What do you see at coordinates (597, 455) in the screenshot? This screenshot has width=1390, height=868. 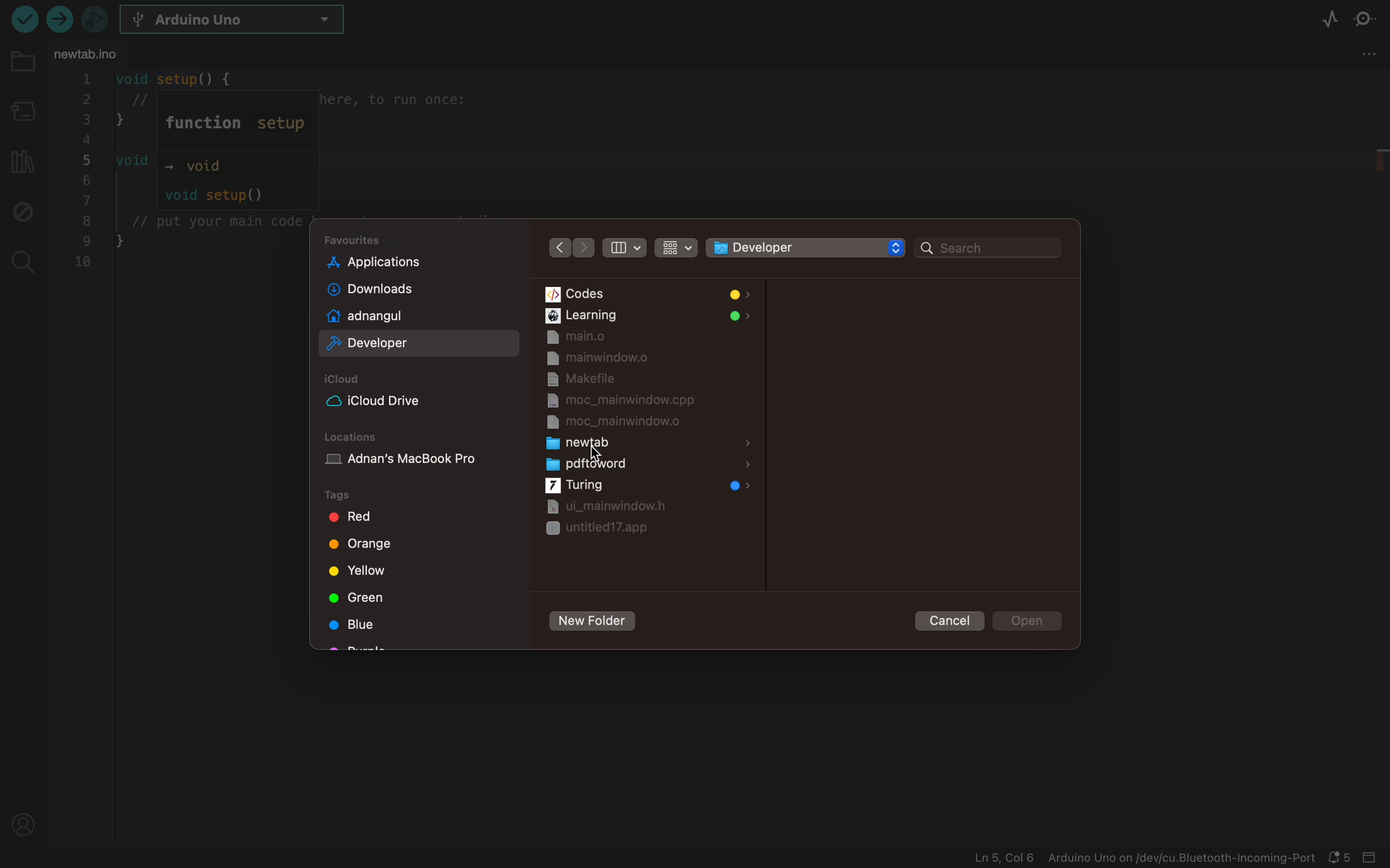 I see `cursor` at bounding box center [597, 455].